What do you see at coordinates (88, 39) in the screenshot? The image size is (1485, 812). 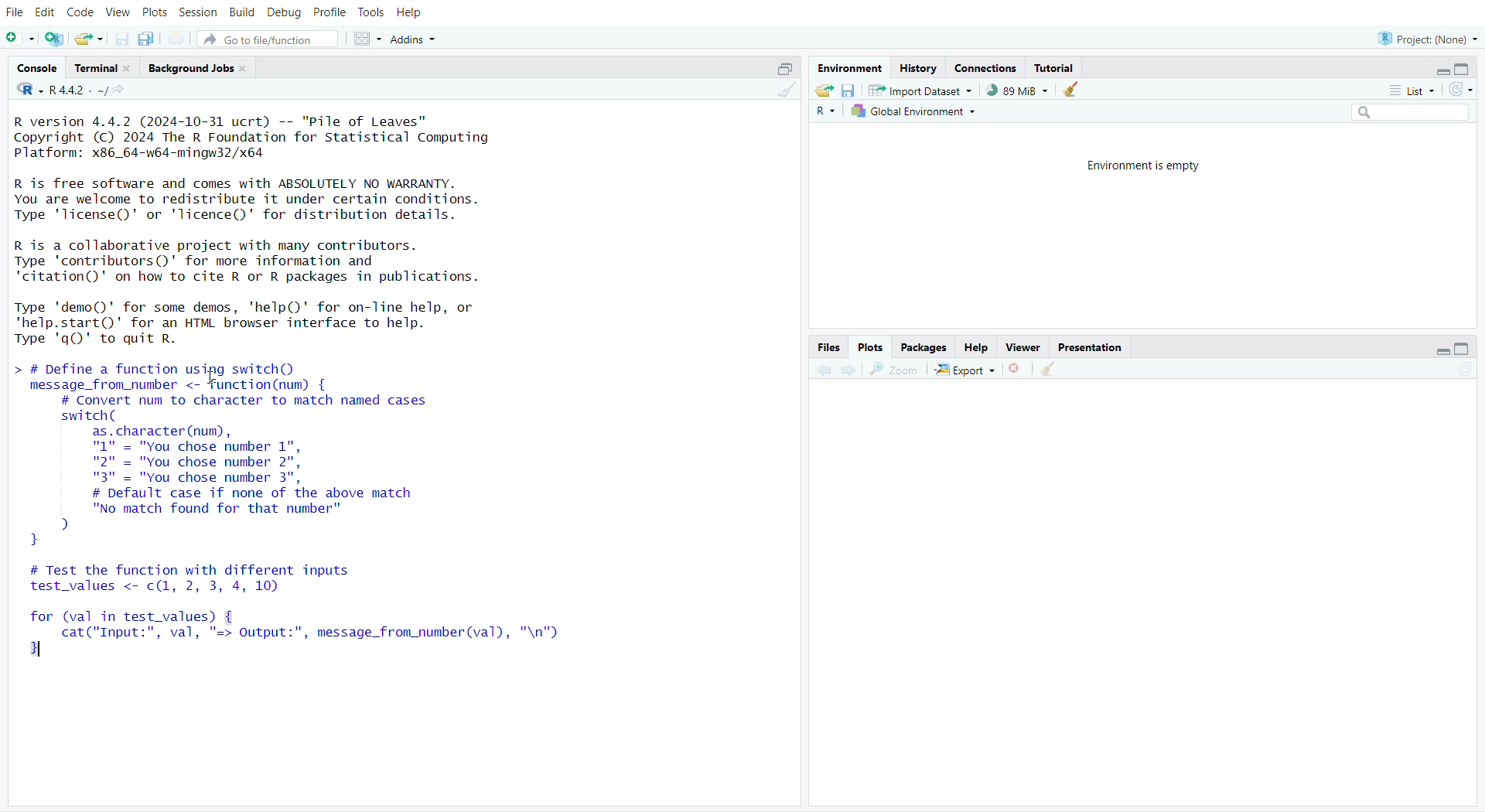 I see `Open an existing file (Ctrl + O)` at bounding box center [88, 39].